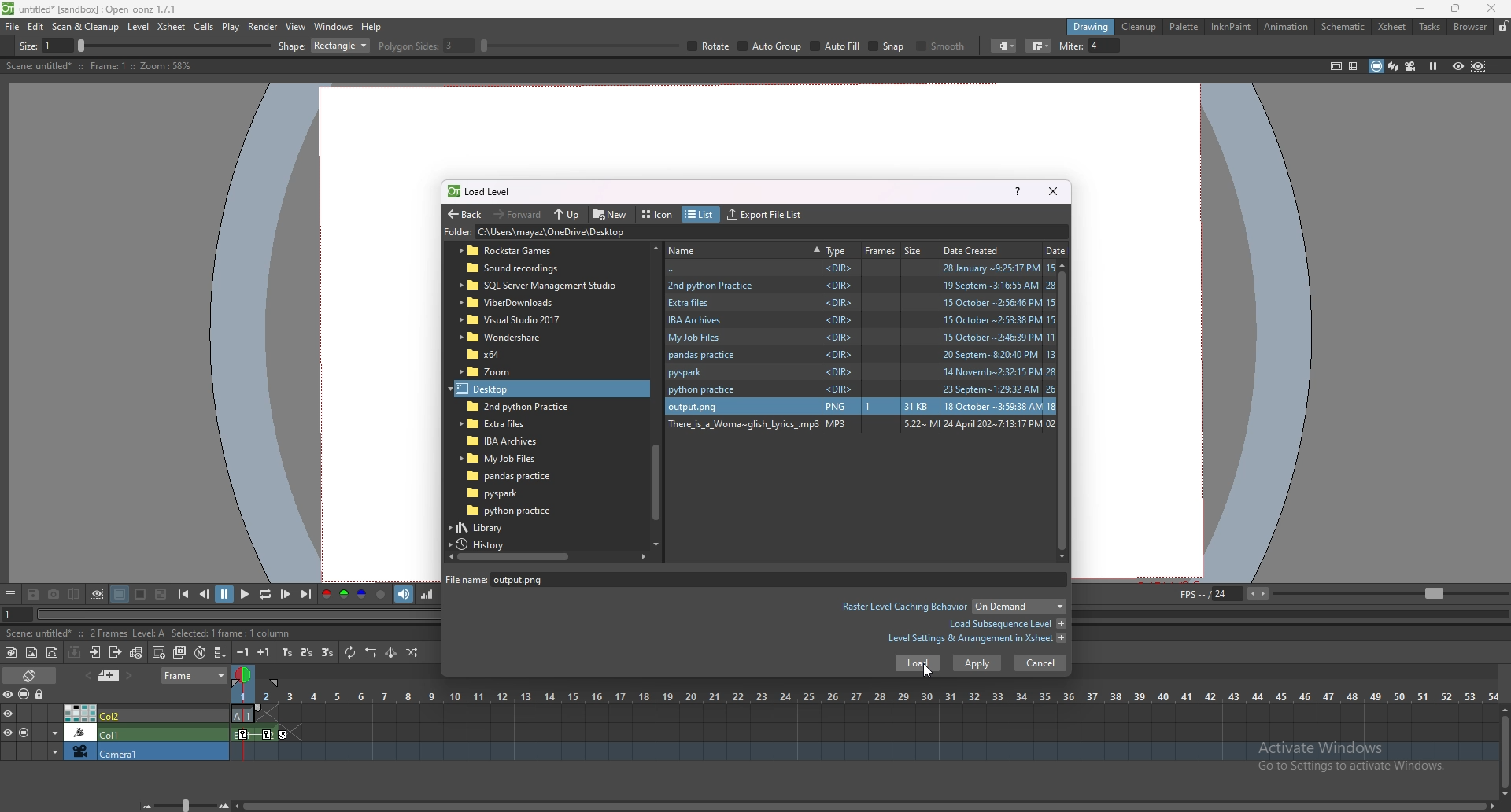 The width and height of the screenshot is (1511, 812). I want to click on close, so click(1489, 8).